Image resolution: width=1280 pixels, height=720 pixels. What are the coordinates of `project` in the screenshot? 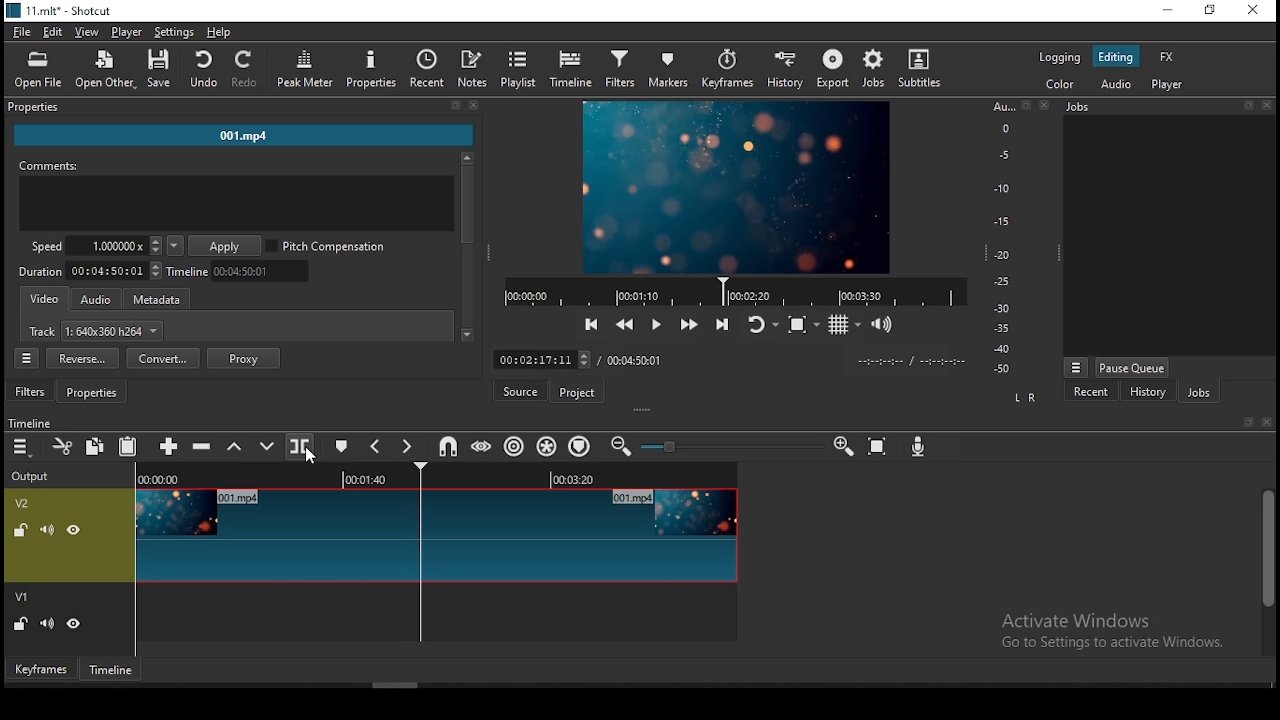 It's located at (579, 392).